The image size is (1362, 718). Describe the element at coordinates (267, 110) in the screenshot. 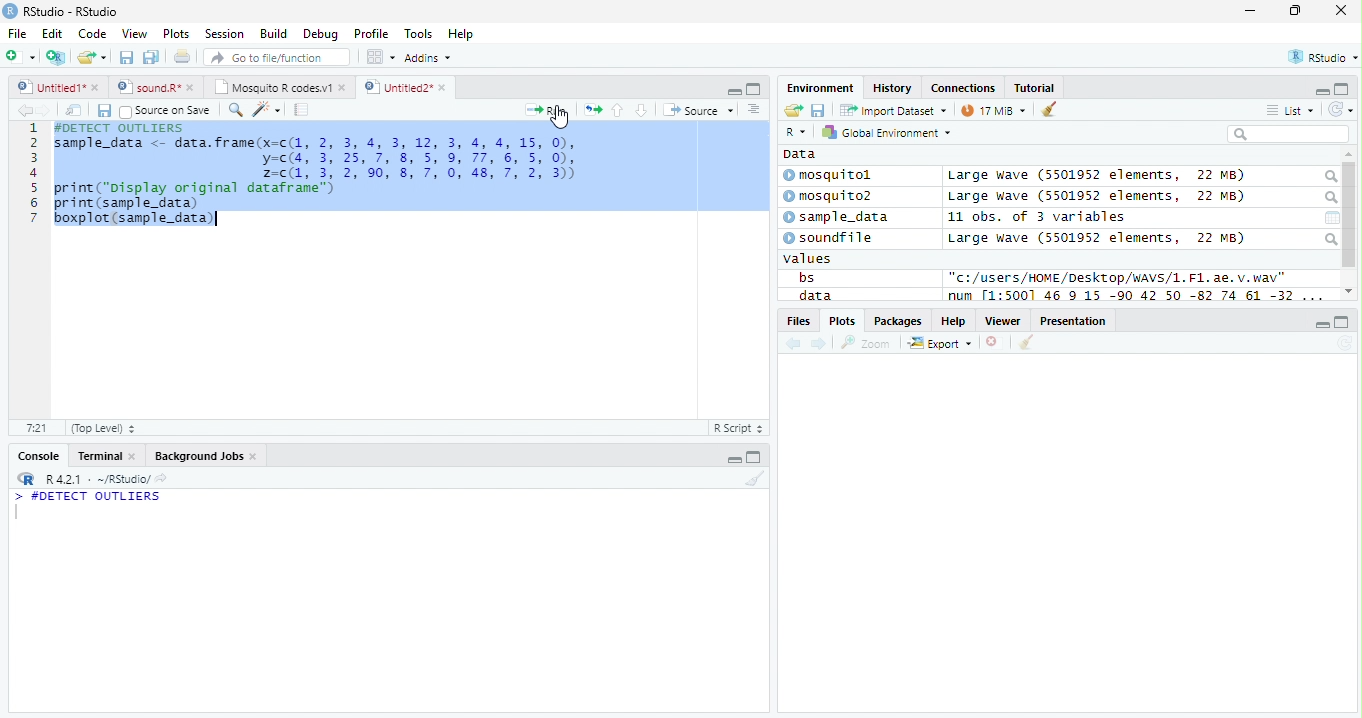

I see `code tools` at that location.